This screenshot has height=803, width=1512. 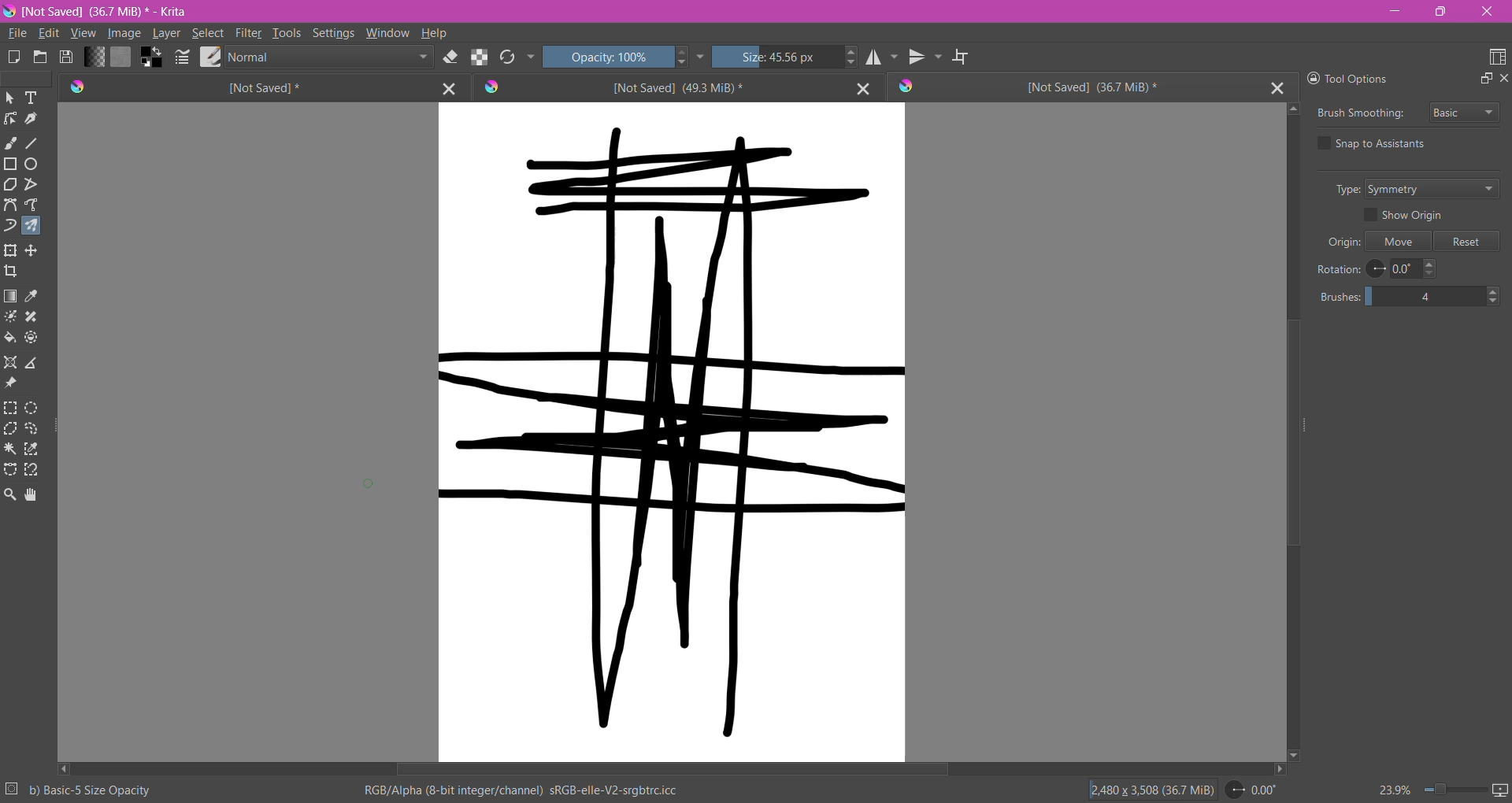 I want to click on Freehand Selection Tool, so click(x=32, y=429).